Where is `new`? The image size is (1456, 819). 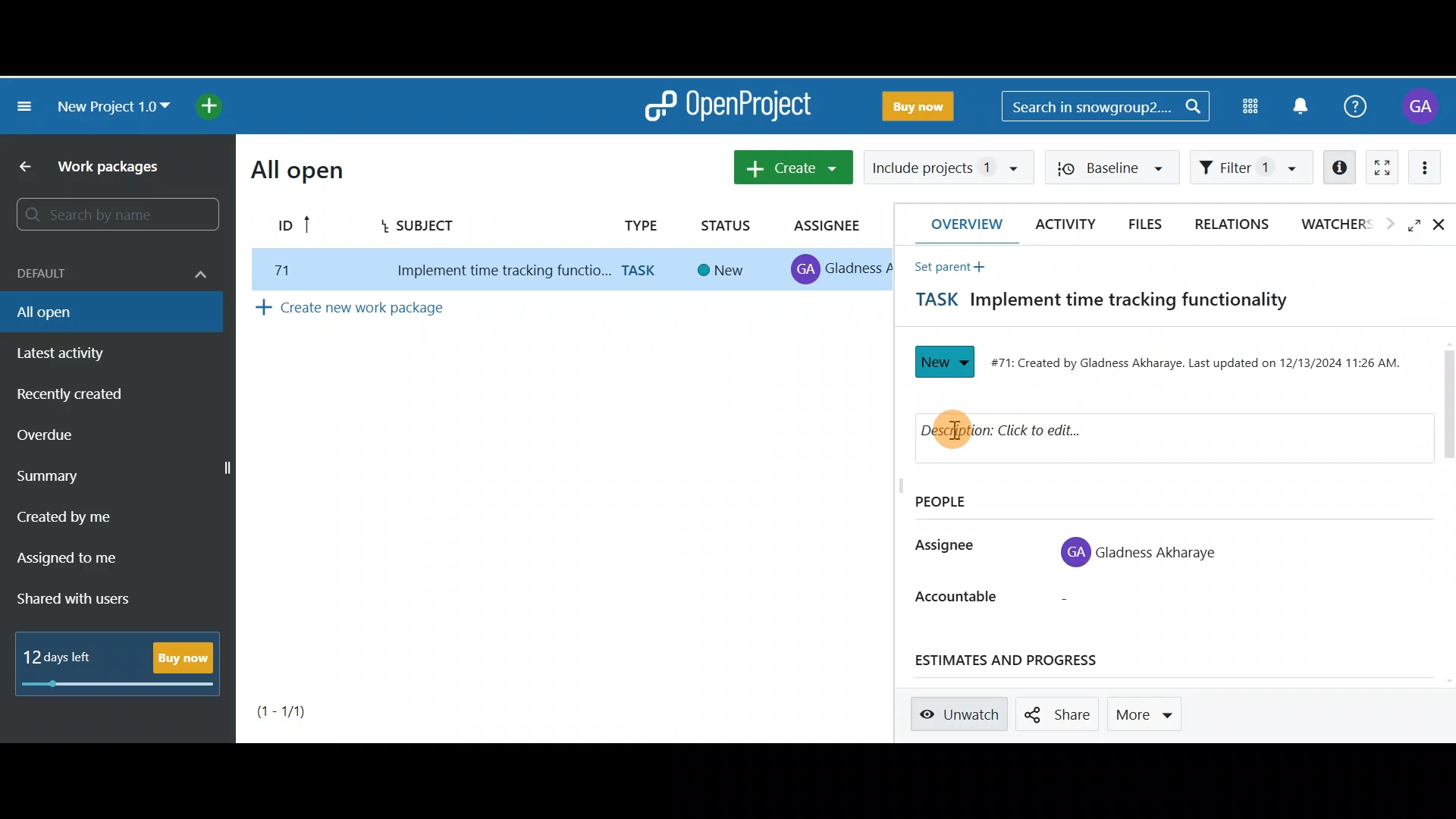 new is located at coordinates (723, 271).